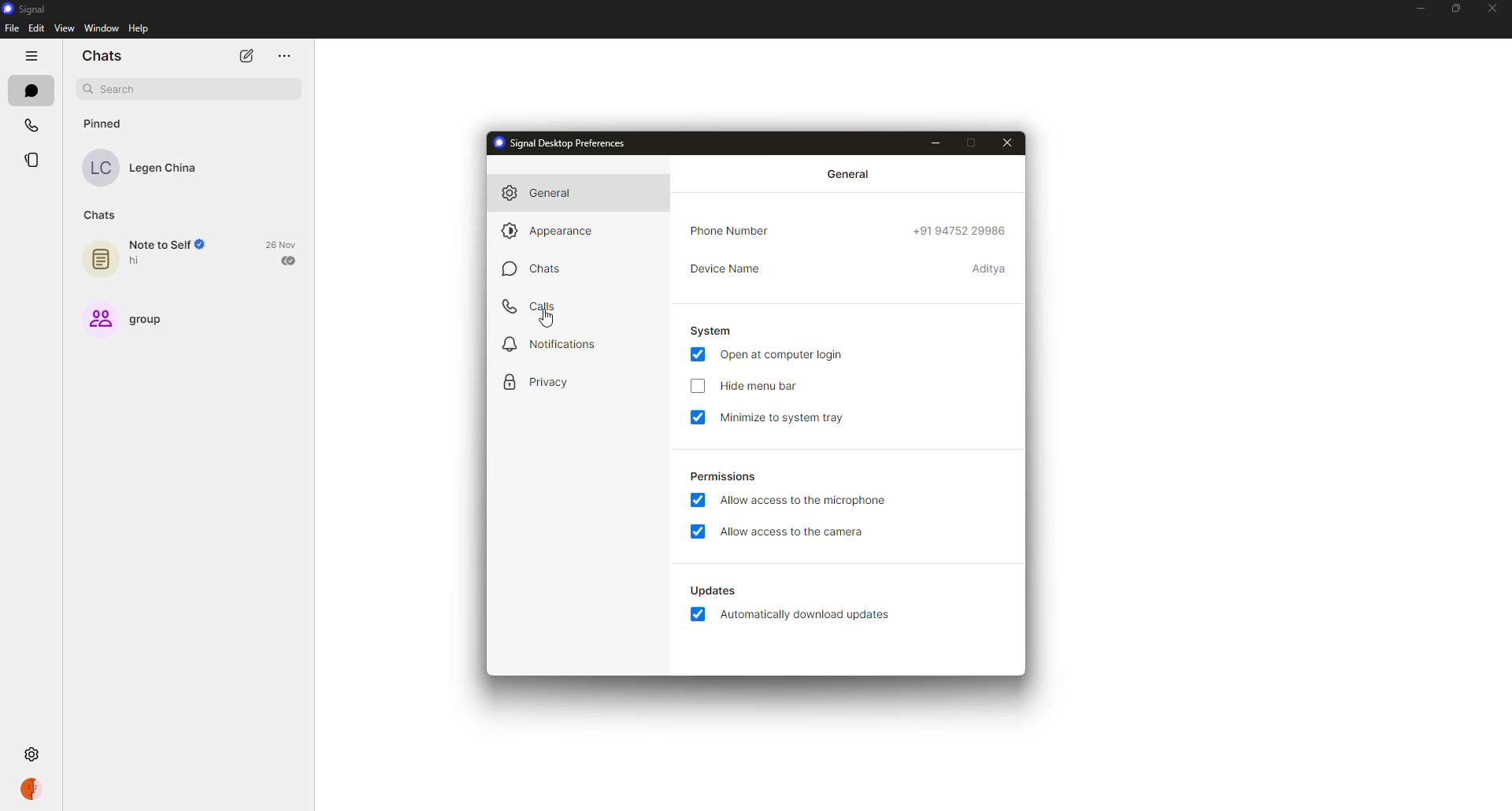 The height and width of the screenshot is (811, 1512). What do you see at coordinates (140, 28) in the screenshot?
I see `help` at bounding box center [140, 28].